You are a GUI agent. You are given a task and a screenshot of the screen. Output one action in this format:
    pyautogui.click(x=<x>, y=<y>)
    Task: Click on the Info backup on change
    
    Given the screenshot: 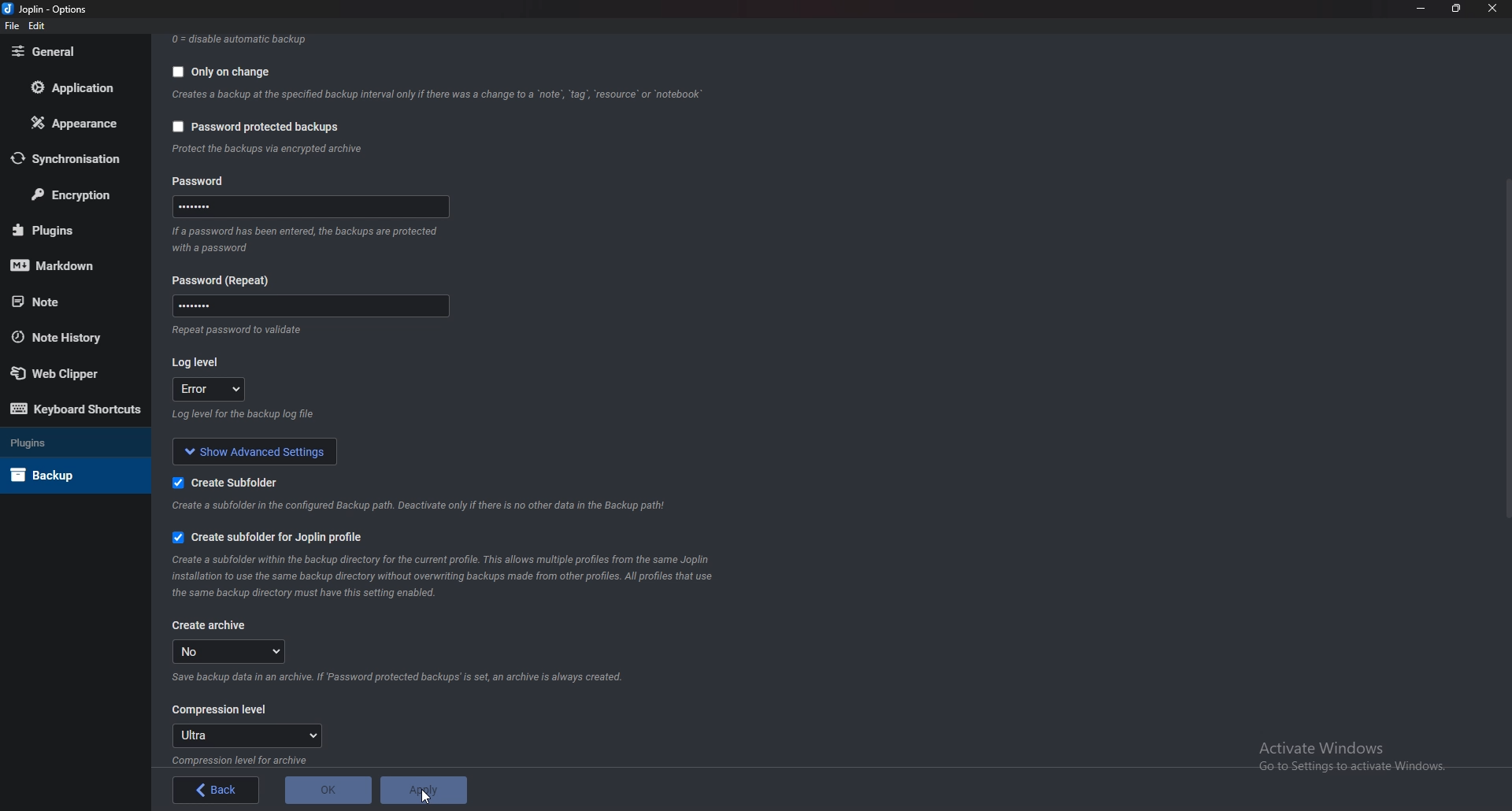 What is the action you would take?
    pyautogui.click(x=439, y=95)
    